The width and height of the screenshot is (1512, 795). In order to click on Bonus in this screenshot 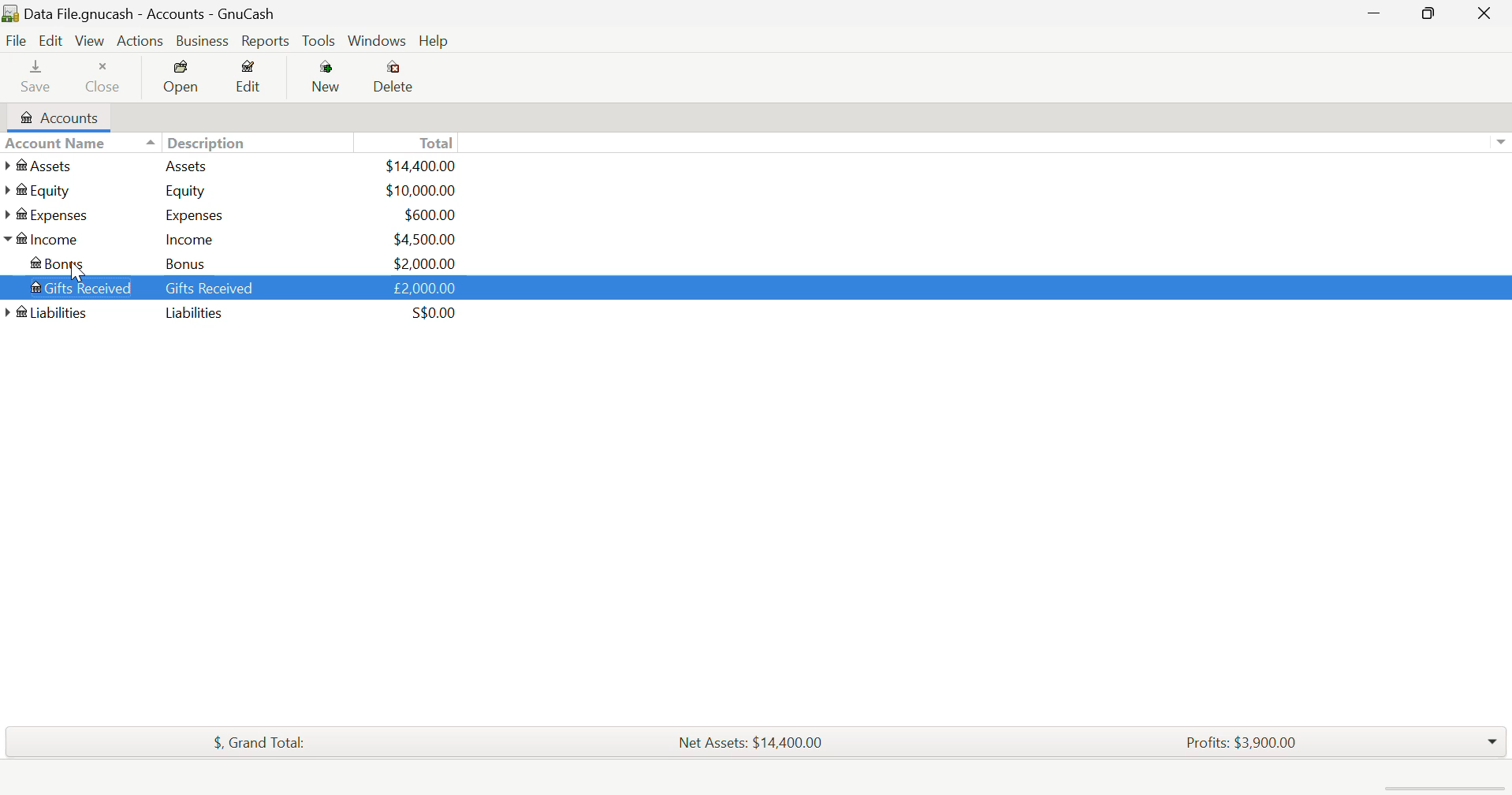, I will do `click(65, 262)`.